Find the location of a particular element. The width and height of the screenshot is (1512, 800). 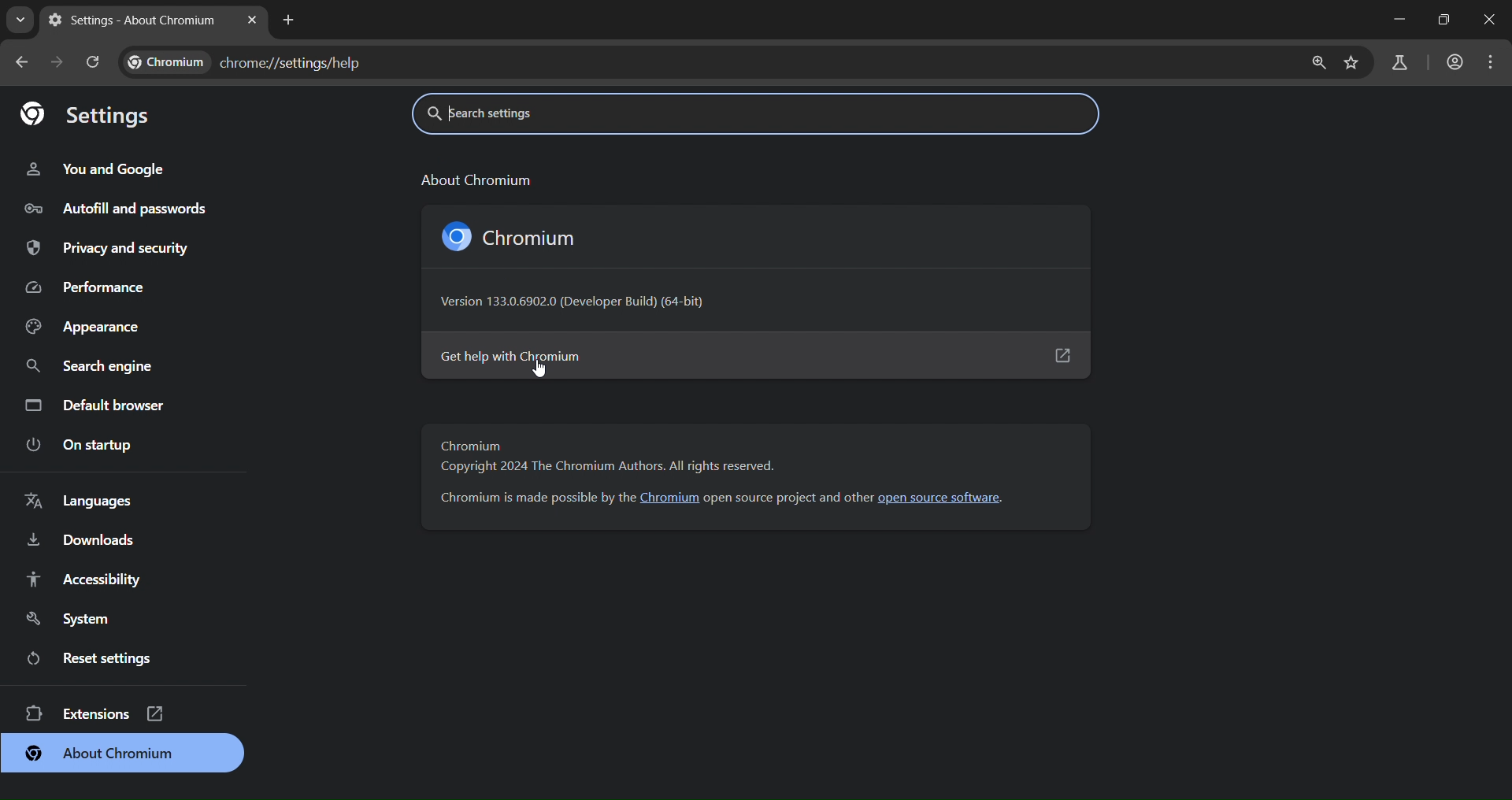

get help with chromium is located at coordinates (754, 356).